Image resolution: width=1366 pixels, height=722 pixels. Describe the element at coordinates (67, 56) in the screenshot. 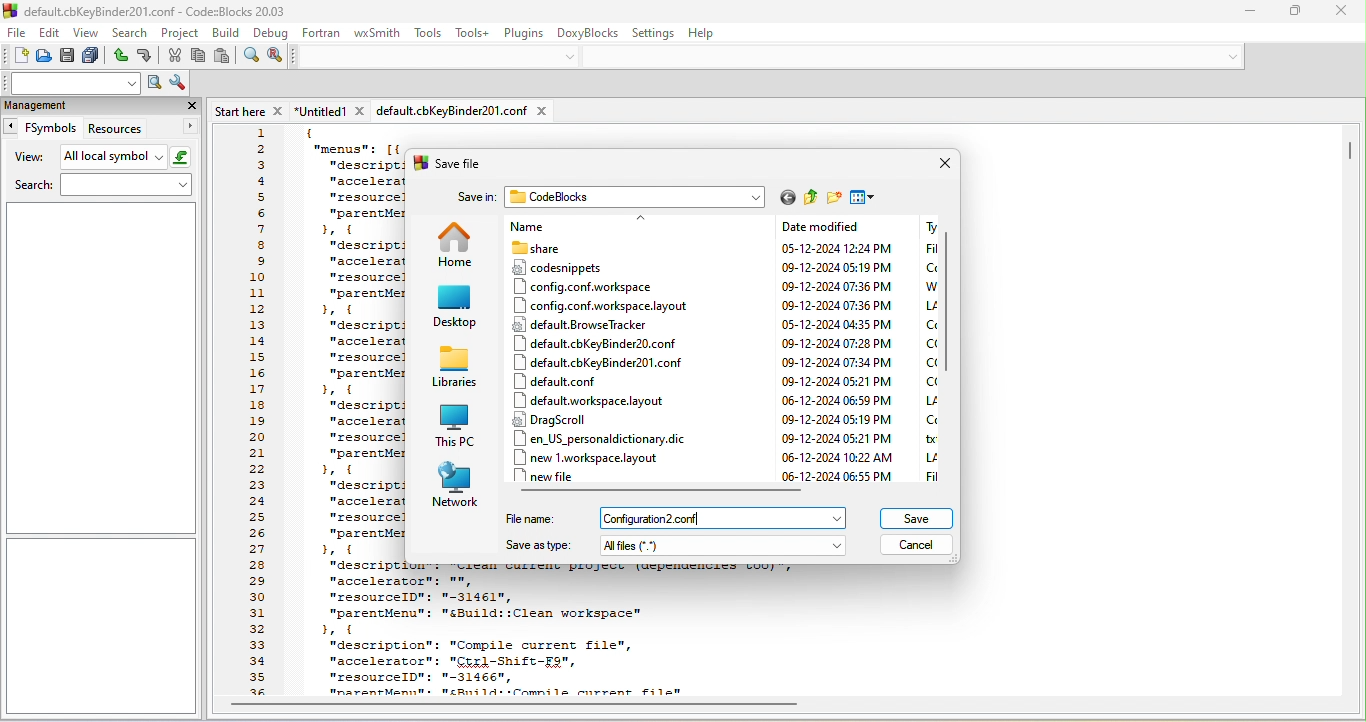

I see `save` at that location.